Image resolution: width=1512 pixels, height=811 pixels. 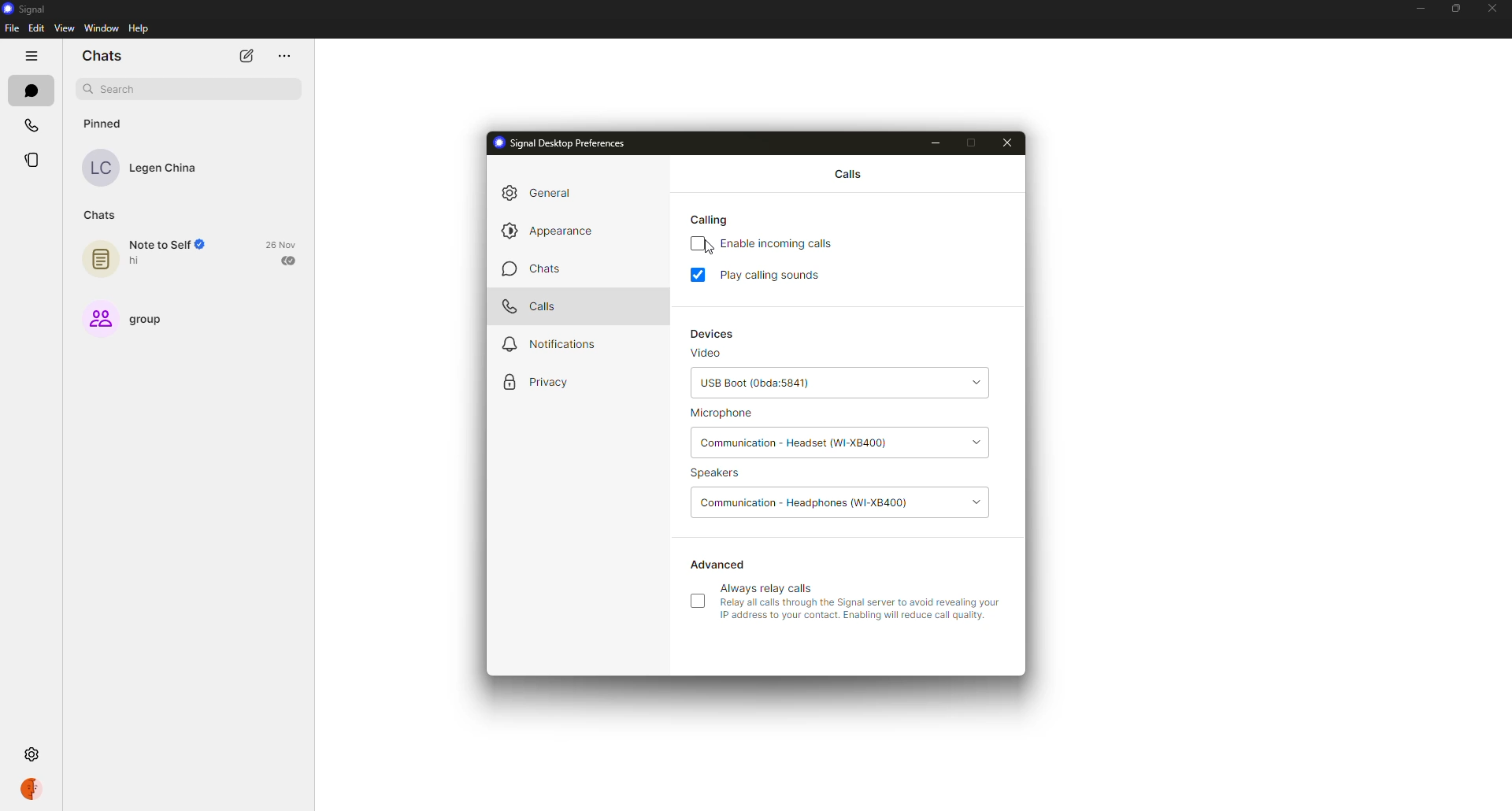 What do you see at coordinates (102, 56) in the screenshot?
I see `chats` at bounding box center [102, 56].